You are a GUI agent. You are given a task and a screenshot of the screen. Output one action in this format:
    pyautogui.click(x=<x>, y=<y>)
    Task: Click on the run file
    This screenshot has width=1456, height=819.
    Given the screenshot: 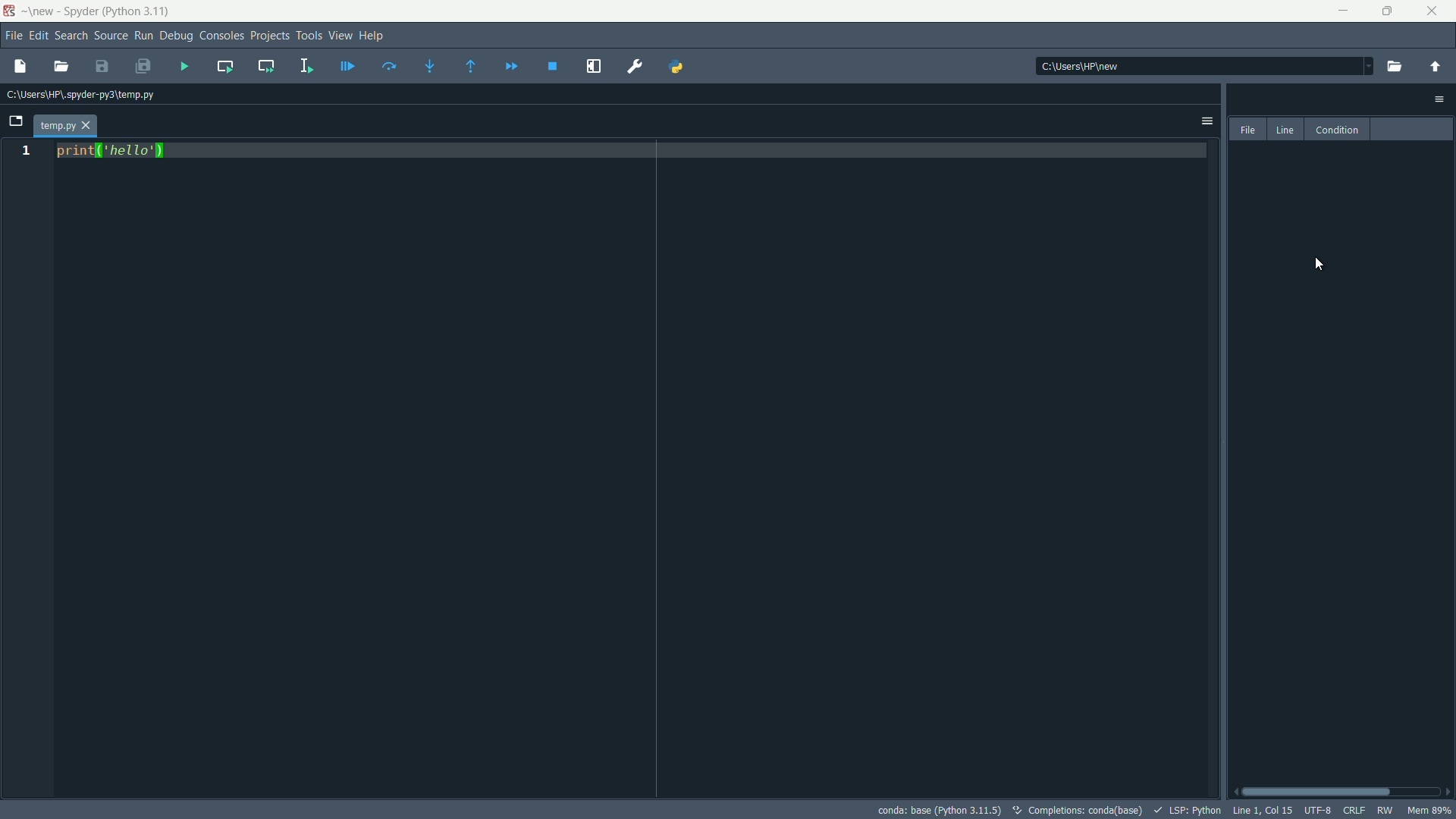 What is the action you would take?
    pyautogui.click(x=184, y=65)
    